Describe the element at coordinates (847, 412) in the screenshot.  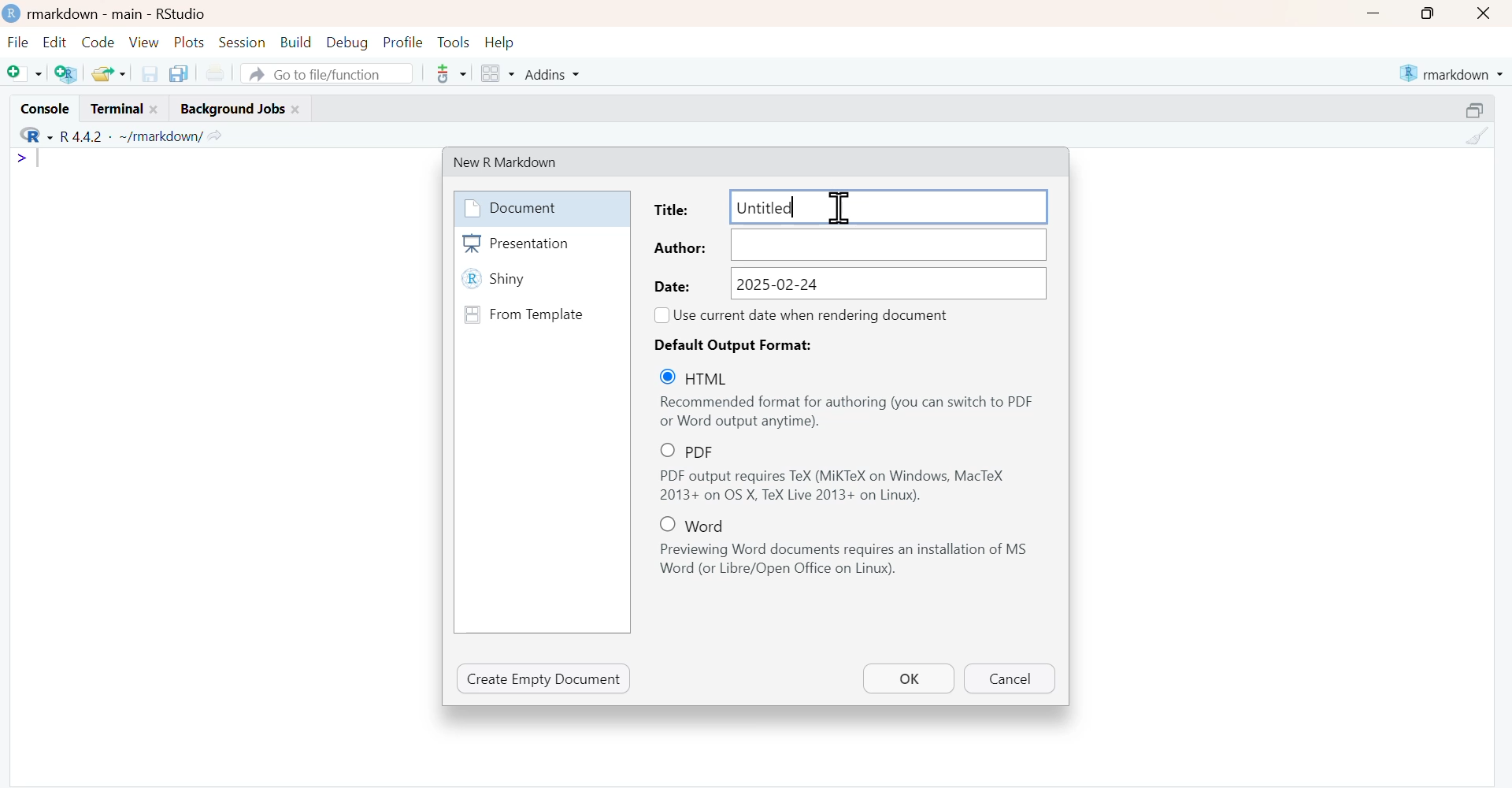
I see `Recommended format for authoring (you can switch to PD
or Word output anytime).` at that location.